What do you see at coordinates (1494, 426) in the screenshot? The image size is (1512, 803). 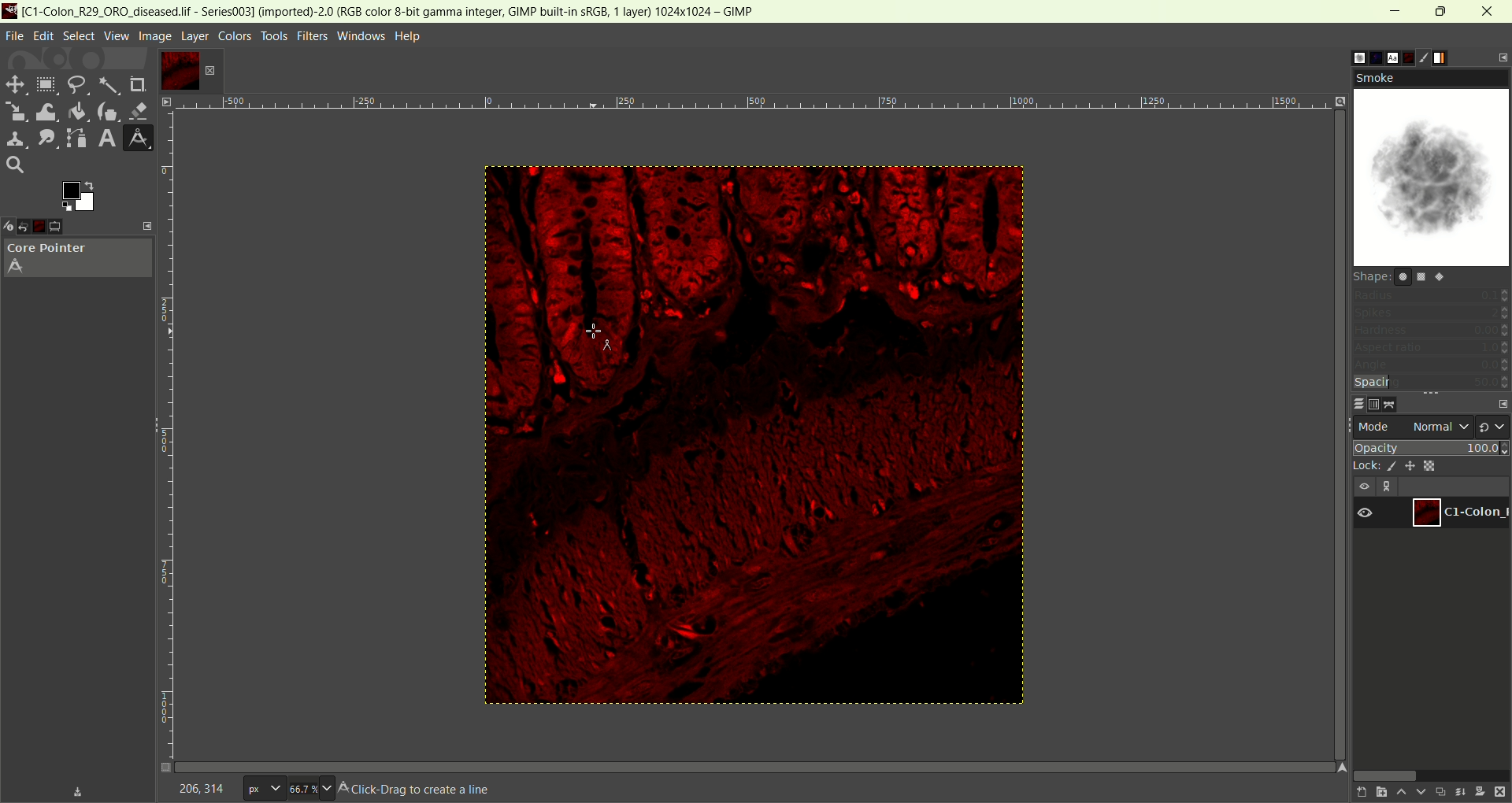 I see `switch to another group of mode` at bounding box center [1494, 426].